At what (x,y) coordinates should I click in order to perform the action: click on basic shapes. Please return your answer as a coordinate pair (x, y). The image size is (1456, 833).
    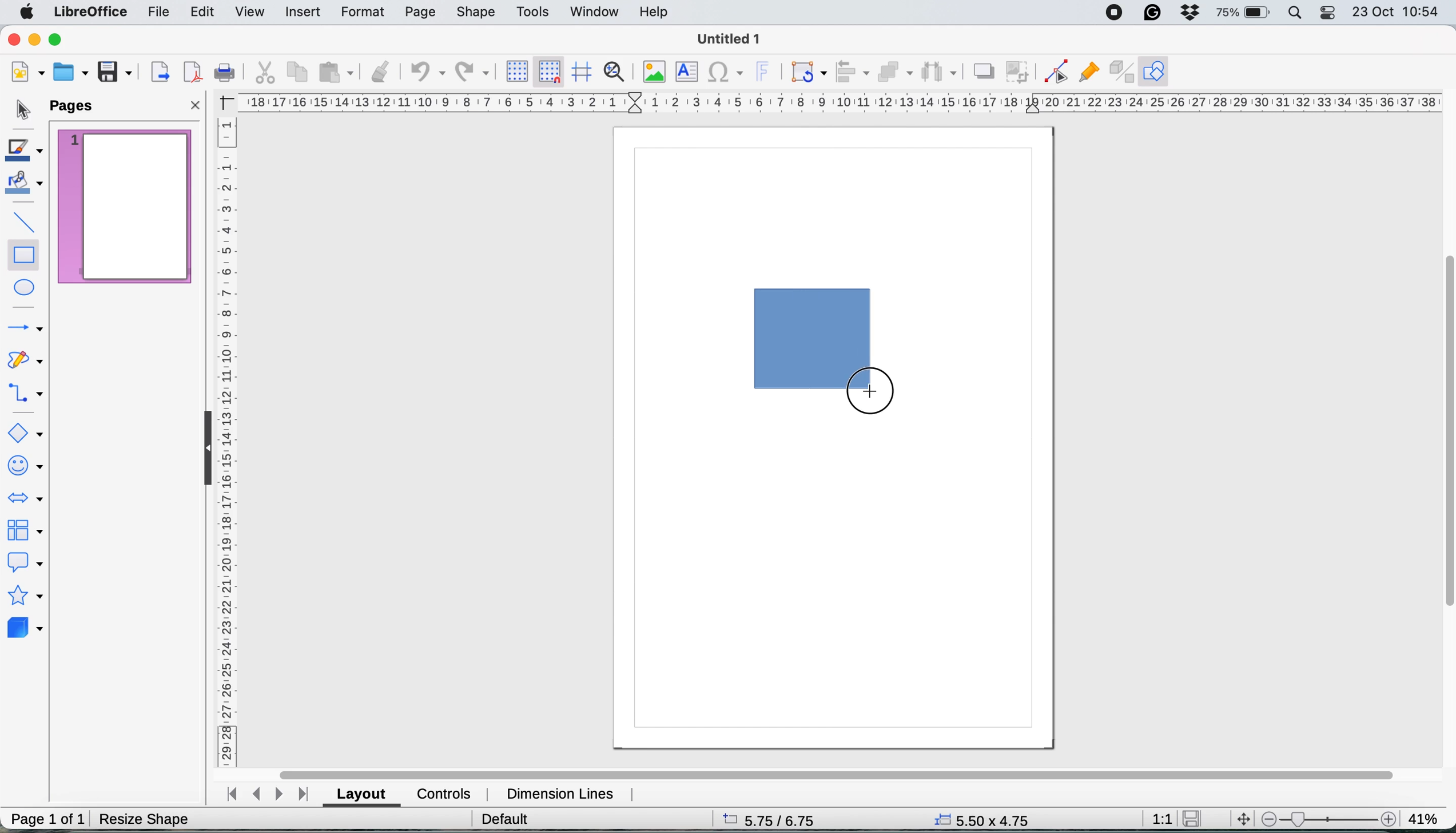
    Looking at the image, I should click on (27, 431).